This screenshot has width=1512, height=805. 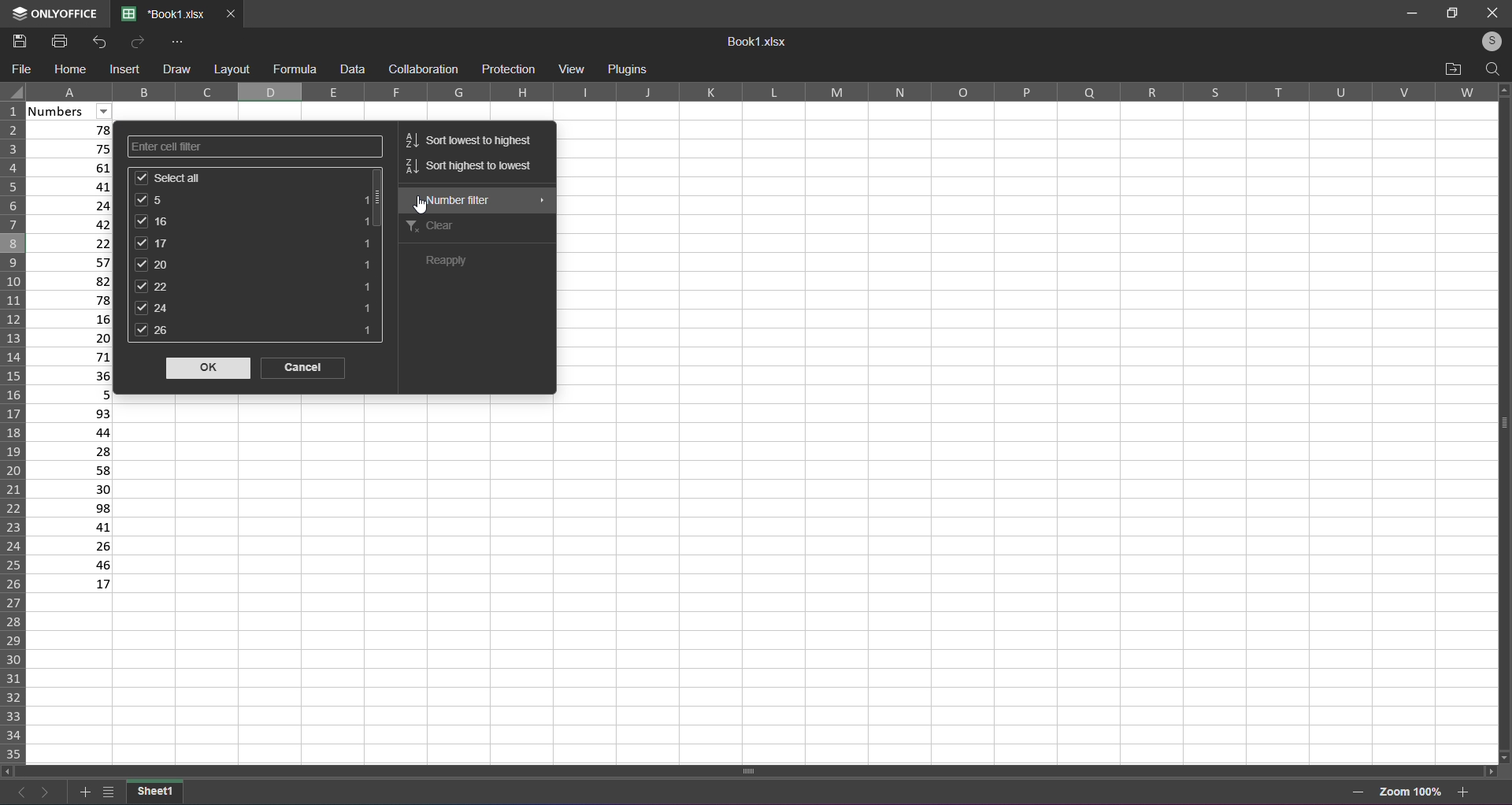 What do you see at coordinates (155, 791) in the screenshot?
I see `current sheet` at bounding box center [155, 791].